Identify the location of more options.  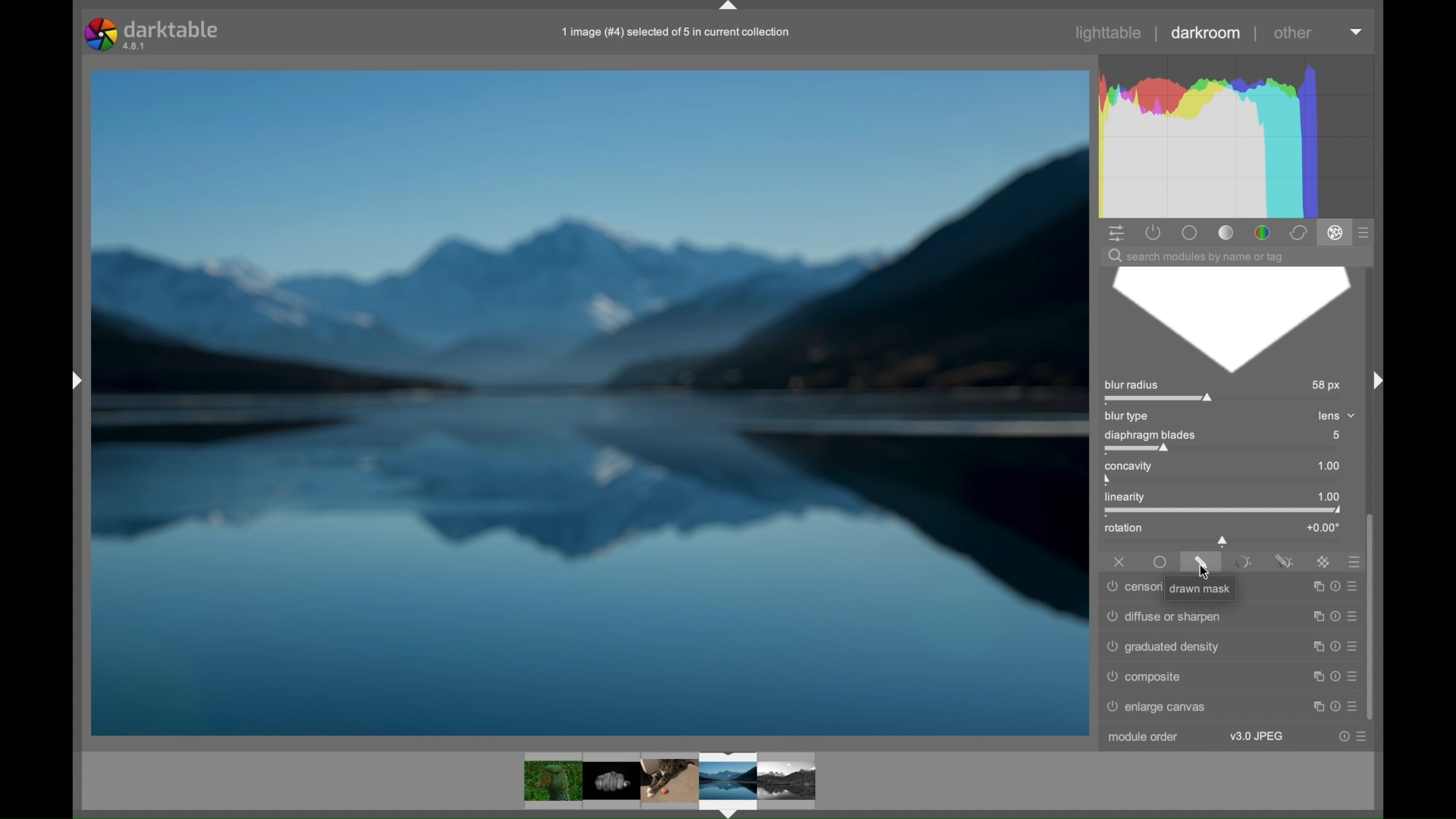
(1363, 736).